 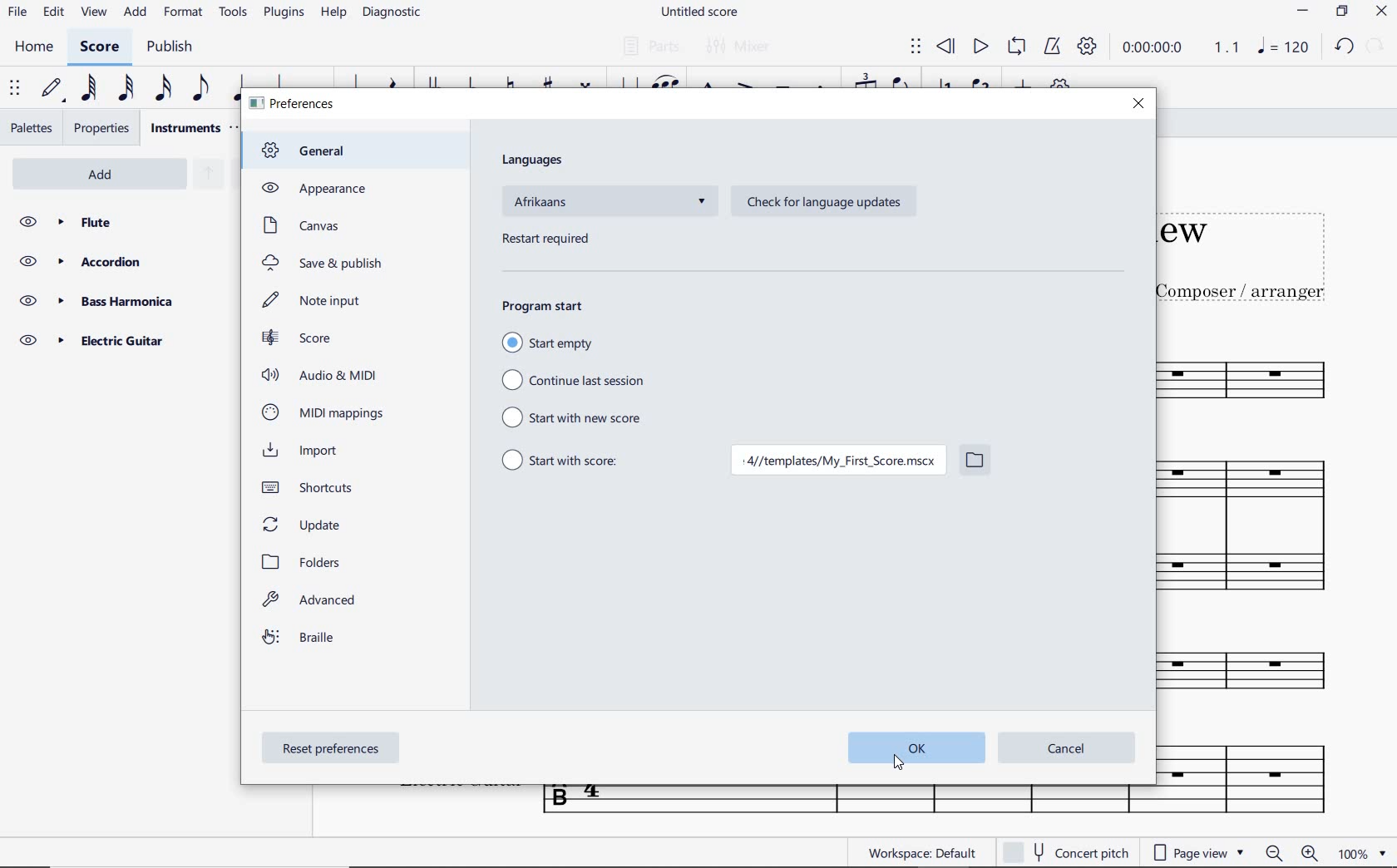 What do you see at coordinates (535, 160) in the screenshot?
I see `languages` at bounding box center [535, 160].